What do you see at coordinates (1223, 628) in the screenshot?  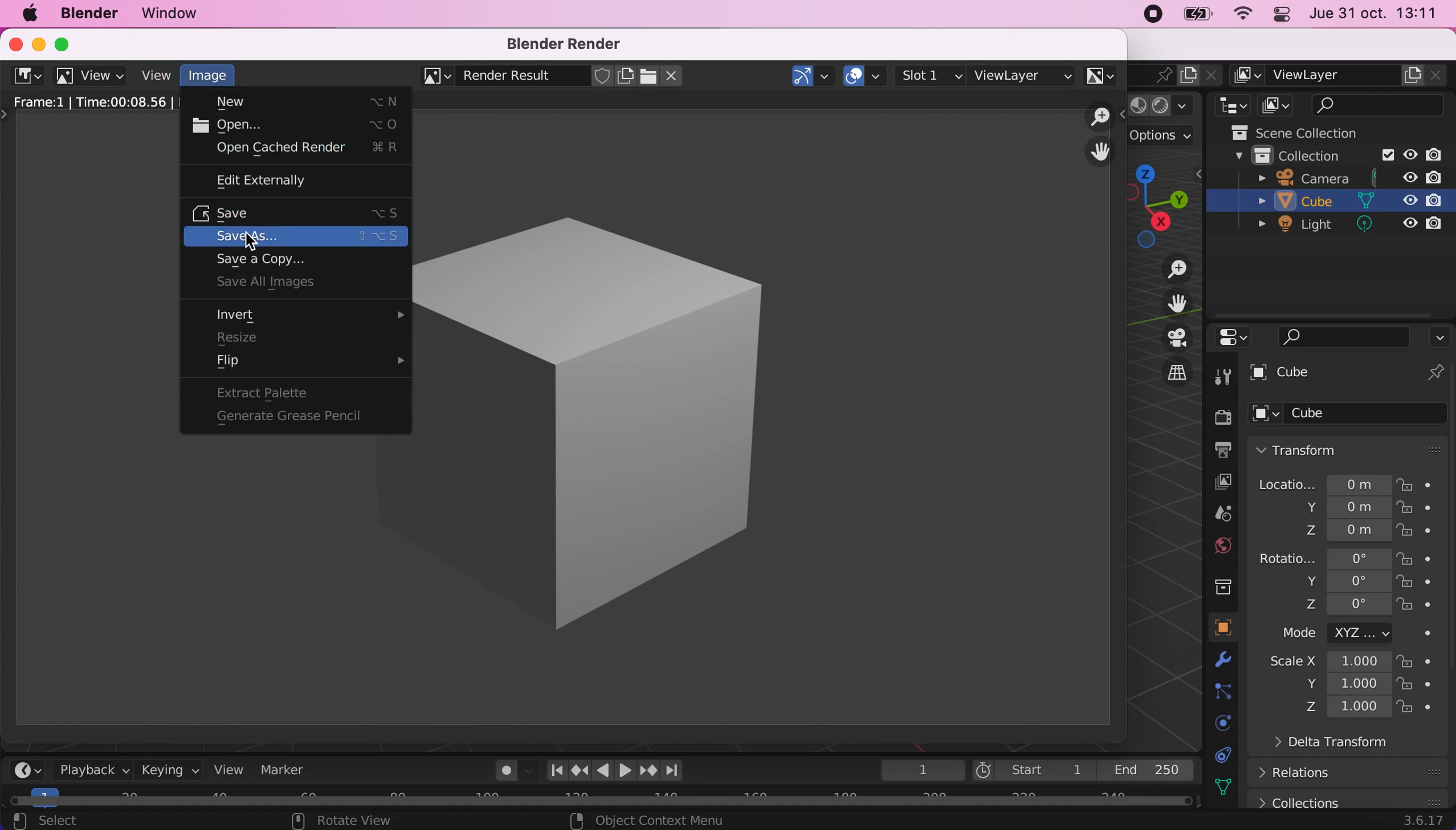 I see `object` at bounding box center [1223, 628].